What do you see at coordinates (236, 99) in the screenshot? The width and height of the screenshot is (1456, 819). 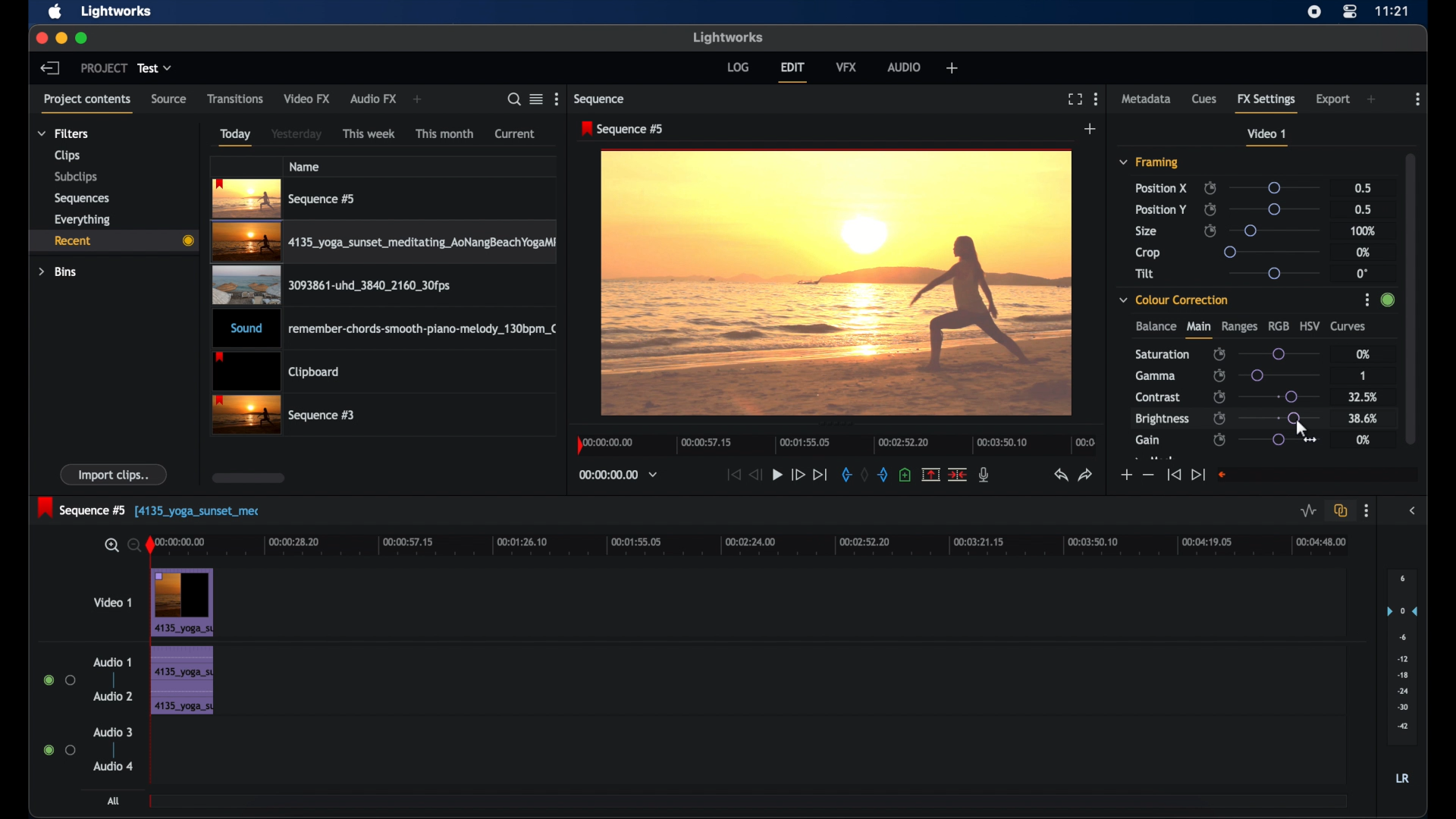 I see `transitions` at bounding box center [236, 99].